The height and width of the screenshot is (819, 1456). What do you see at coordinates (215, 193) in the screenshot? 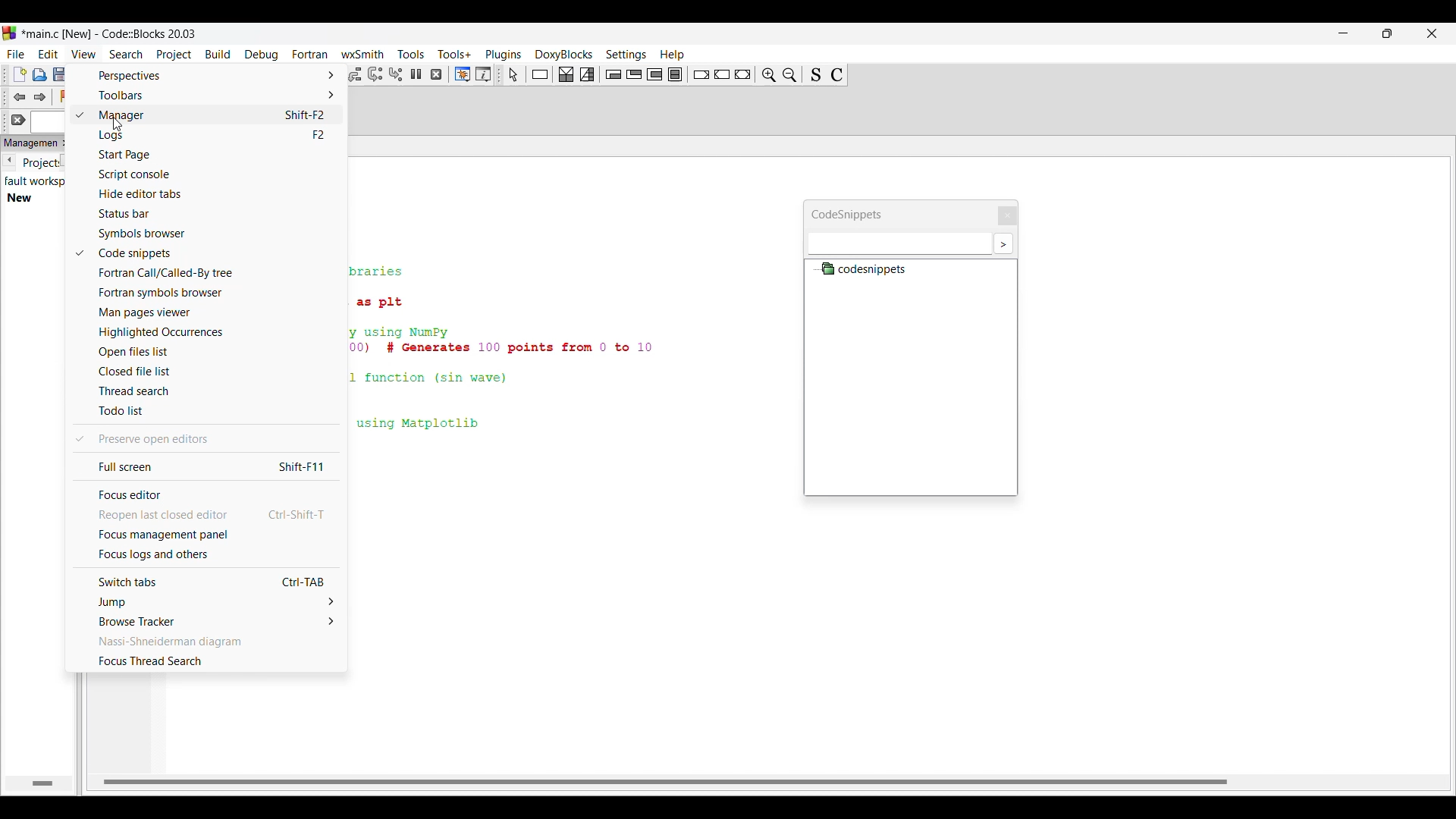
I see `Hide editor tabs` at bounding box center [215, 193].